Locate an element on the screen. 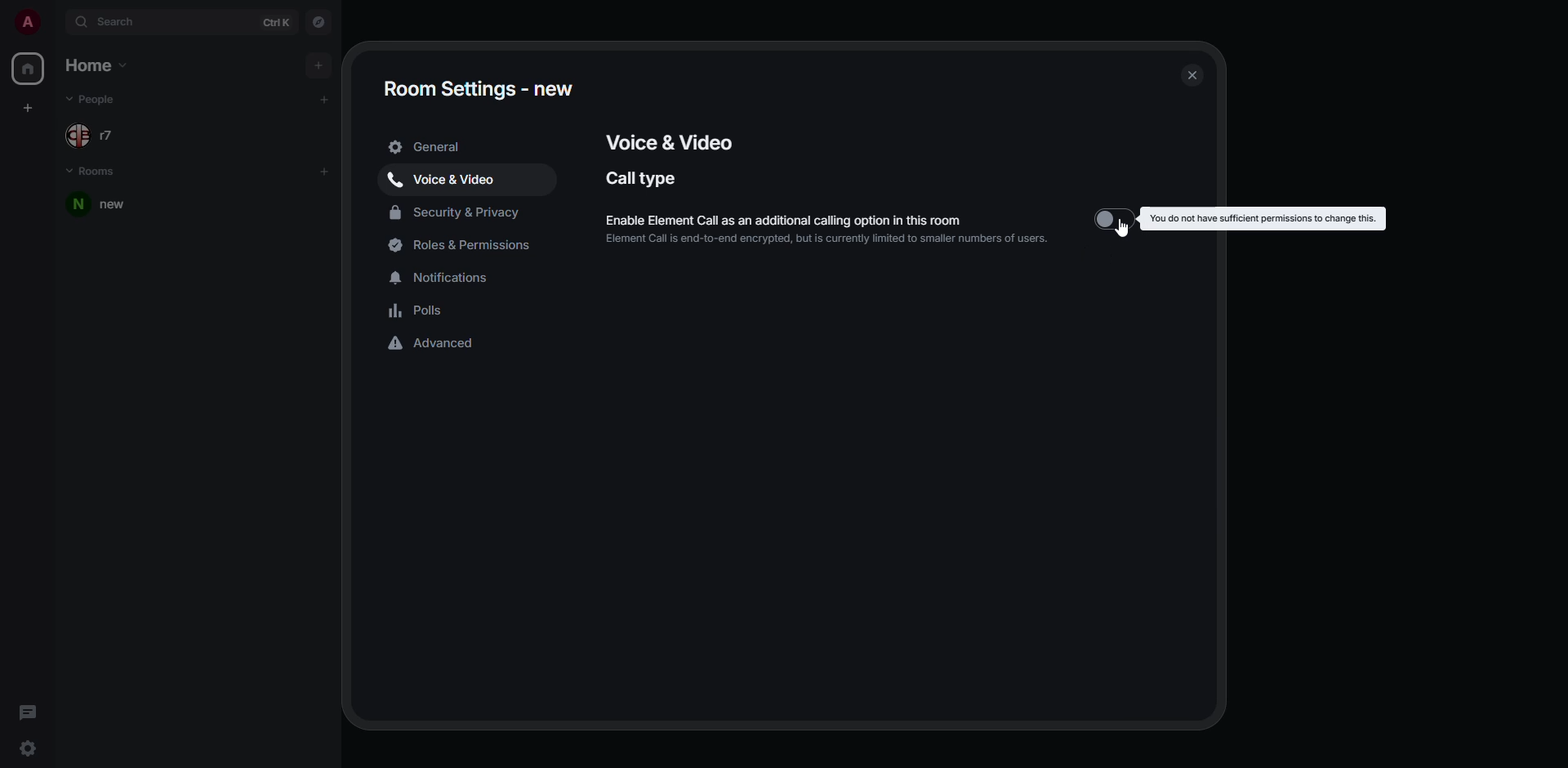 The height and width of the screenshot is (768, 1568). polls is located at coordinates (420, 310).